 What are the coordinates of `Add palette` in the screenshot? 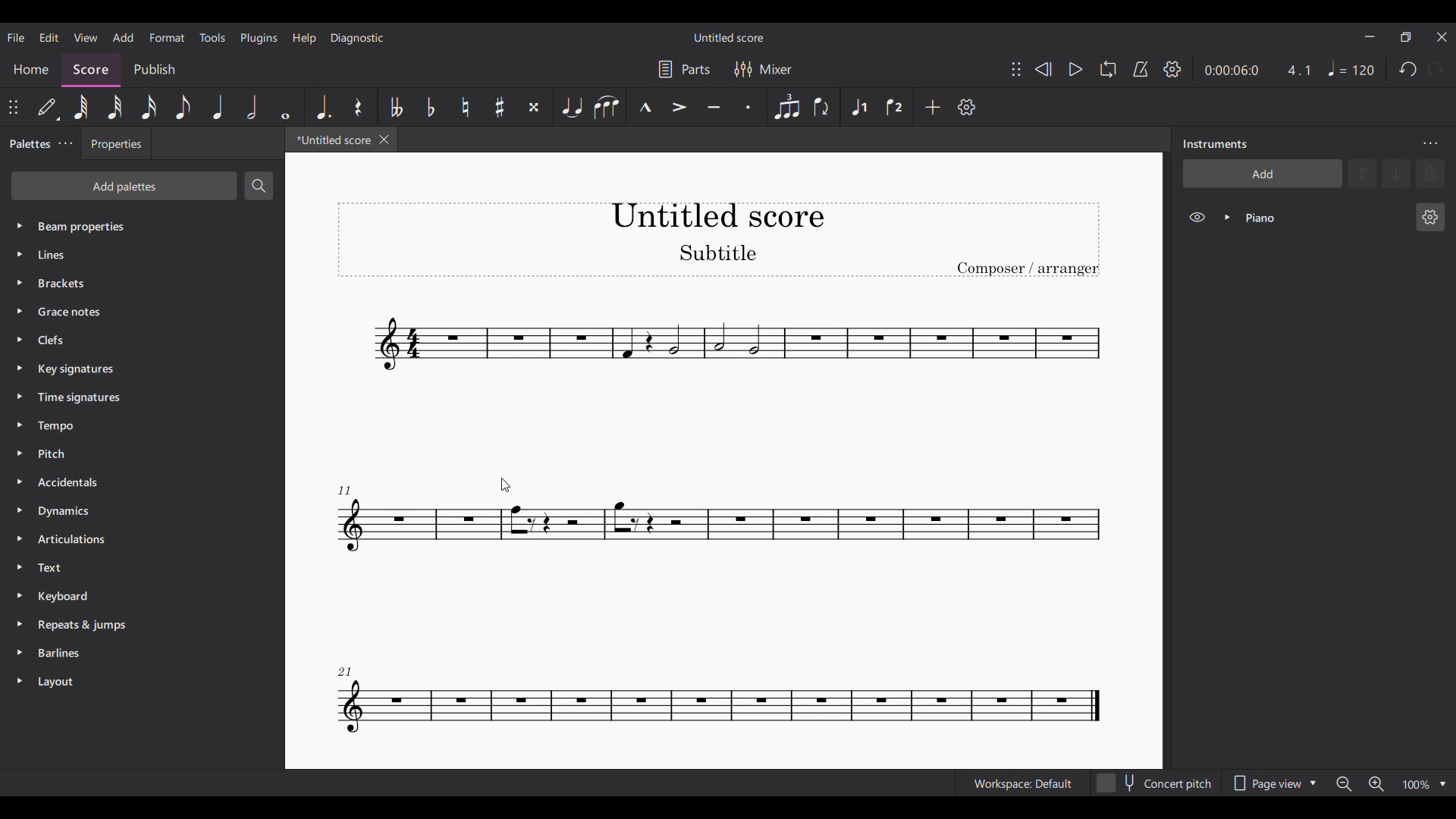 It's located at (124, 186).